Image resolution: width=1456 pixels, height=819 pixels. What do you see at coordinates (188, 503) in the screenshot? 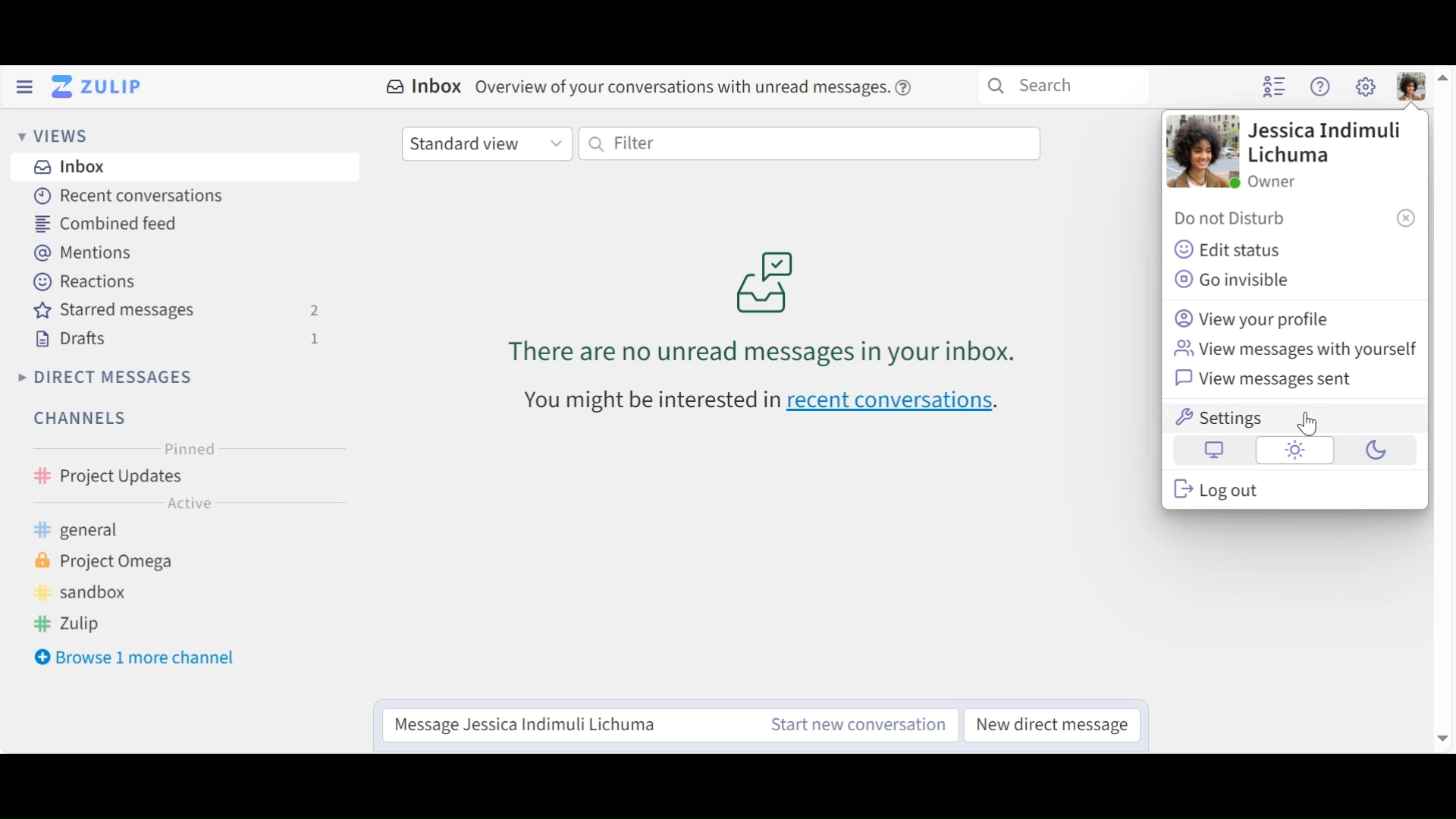
I see `Active` at bounding box center [188, 503].